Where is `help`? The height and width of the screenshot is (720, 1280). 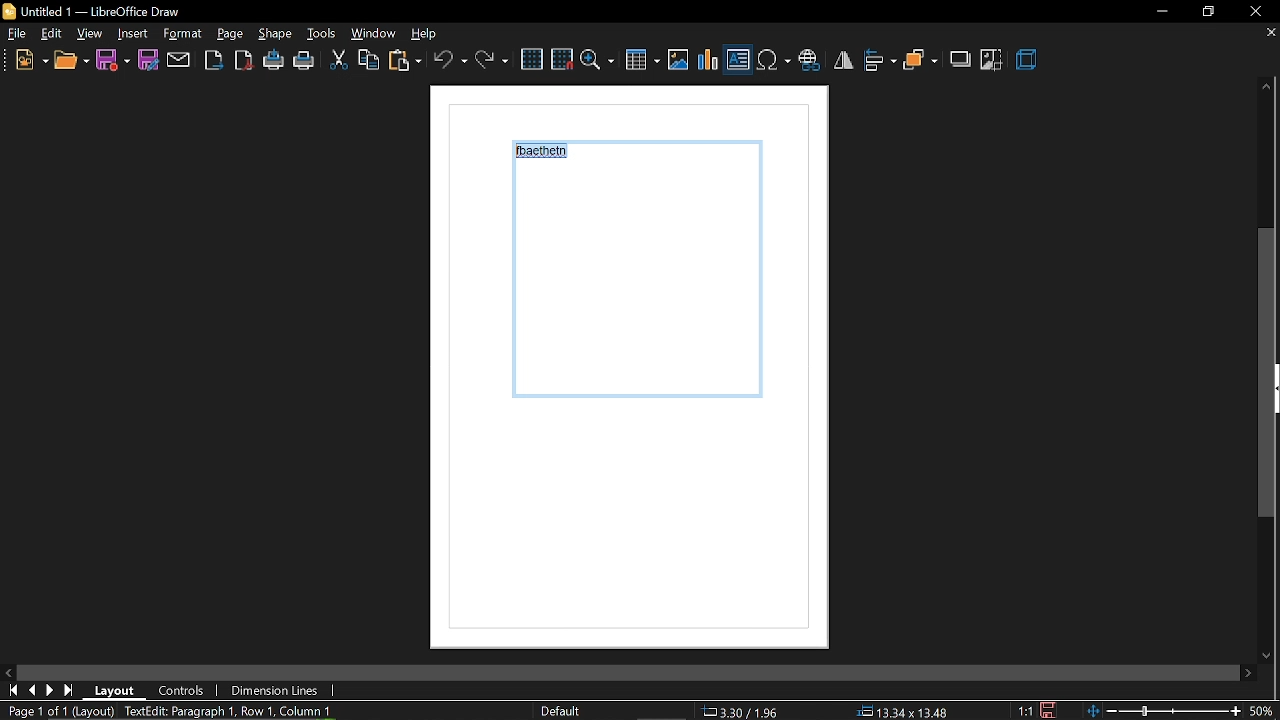 help is located at coordinates (431, 33).